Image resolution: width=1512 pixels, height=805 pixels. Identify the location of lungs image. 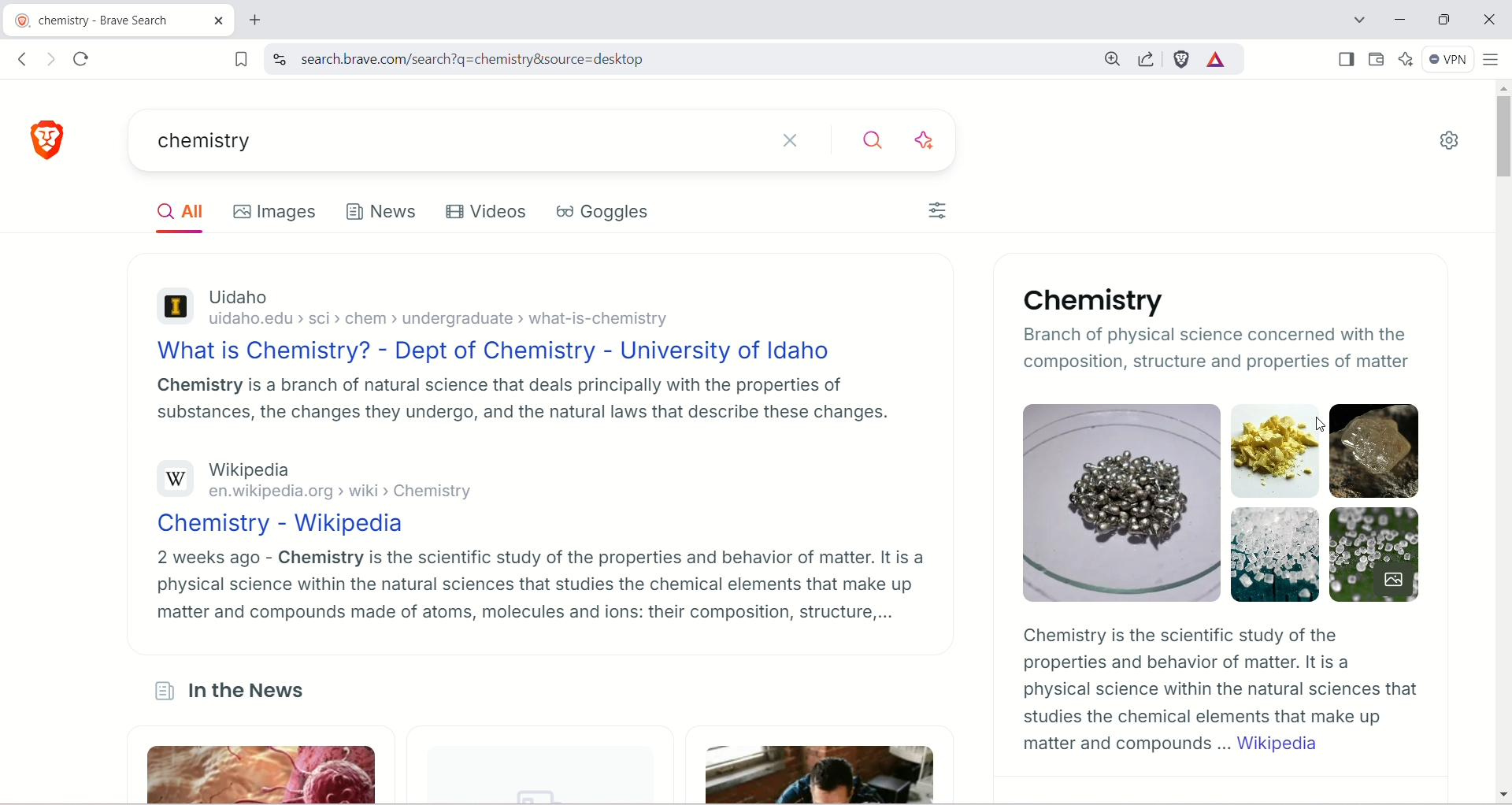
(259, 766).